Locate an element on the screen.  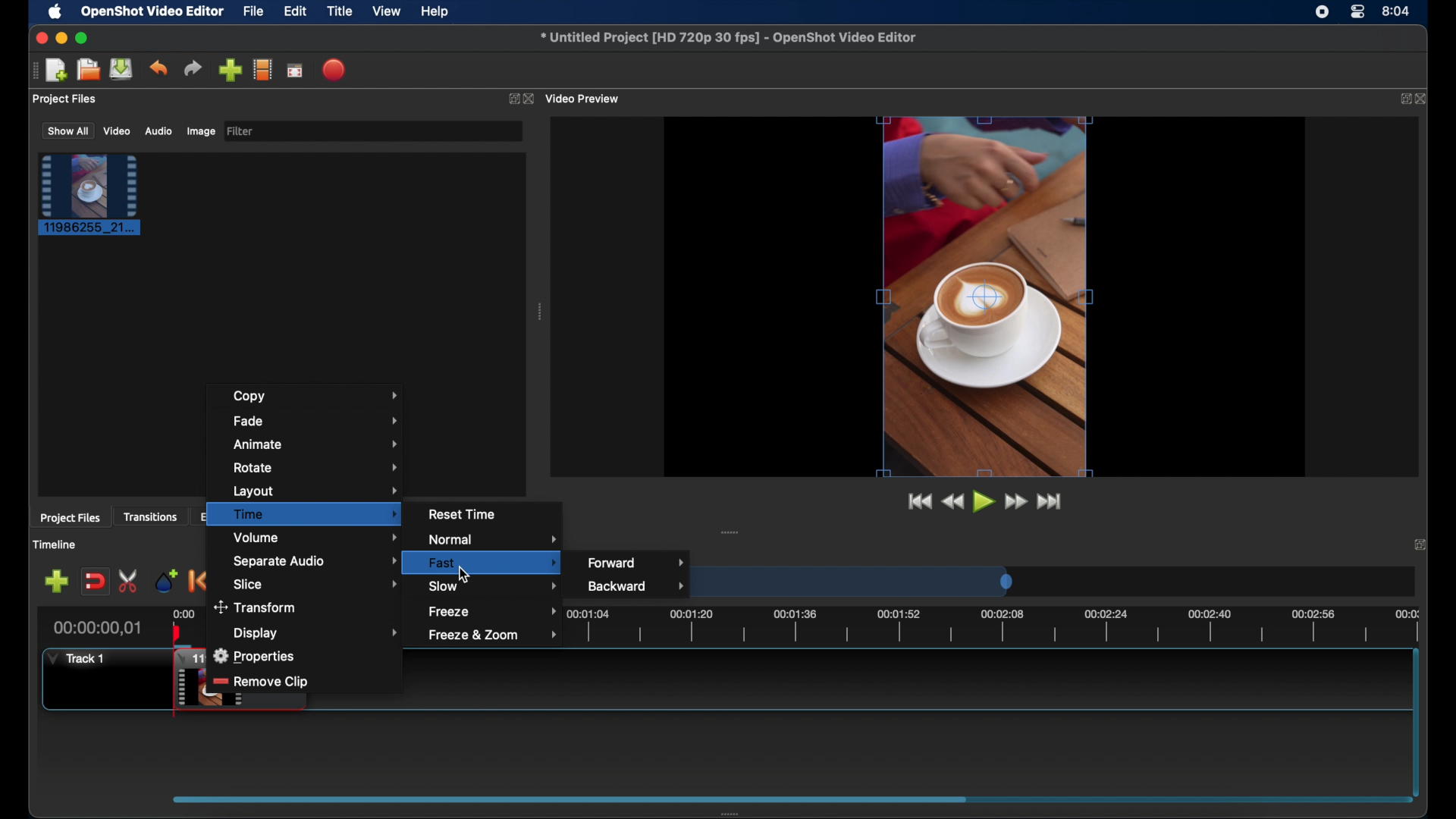
undo is located at coordinates (159, 68).